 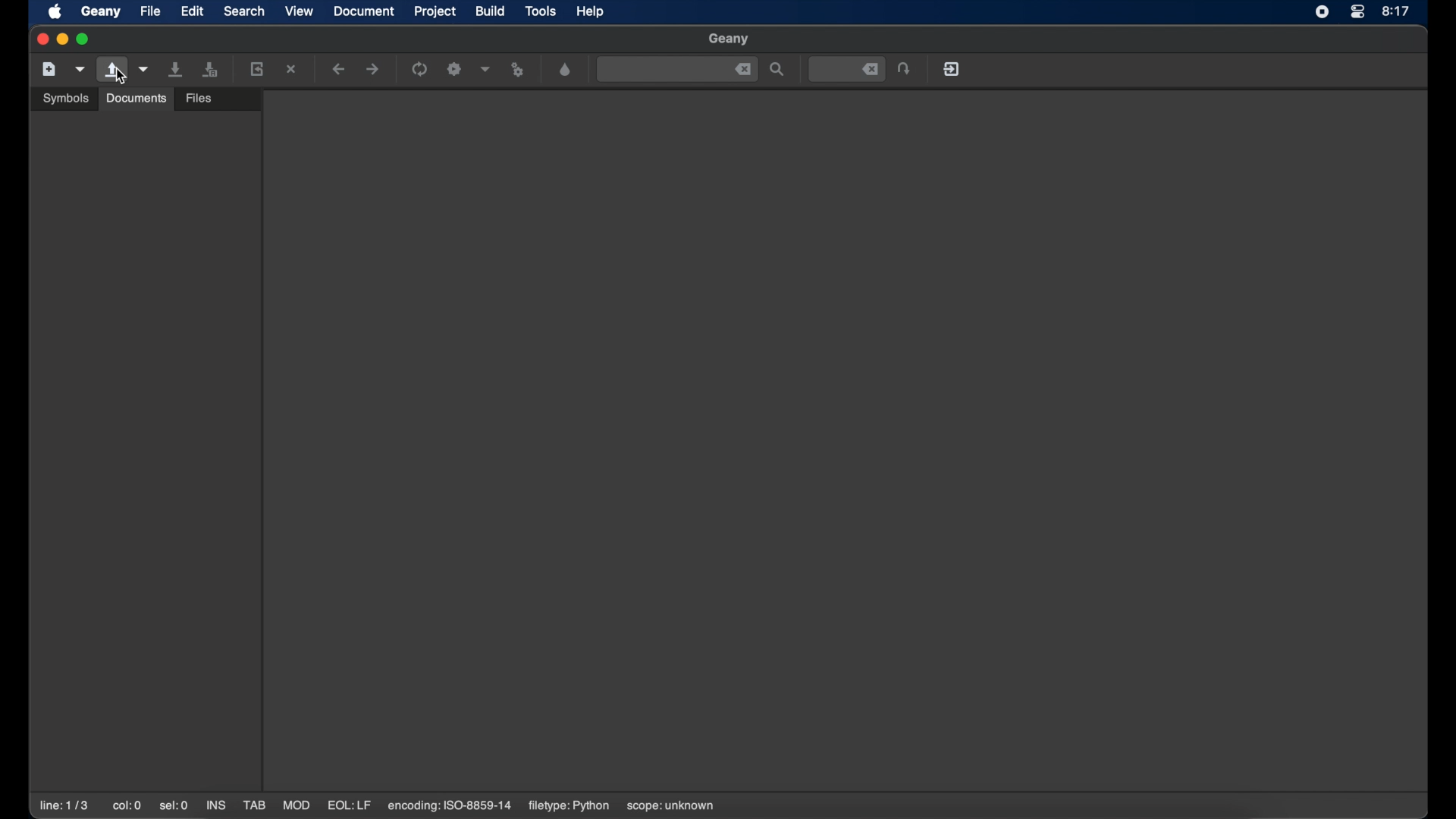 What do you see at coordinates (435, 11) in the screenshot?
I see `project` at bounding box center [435, 11].